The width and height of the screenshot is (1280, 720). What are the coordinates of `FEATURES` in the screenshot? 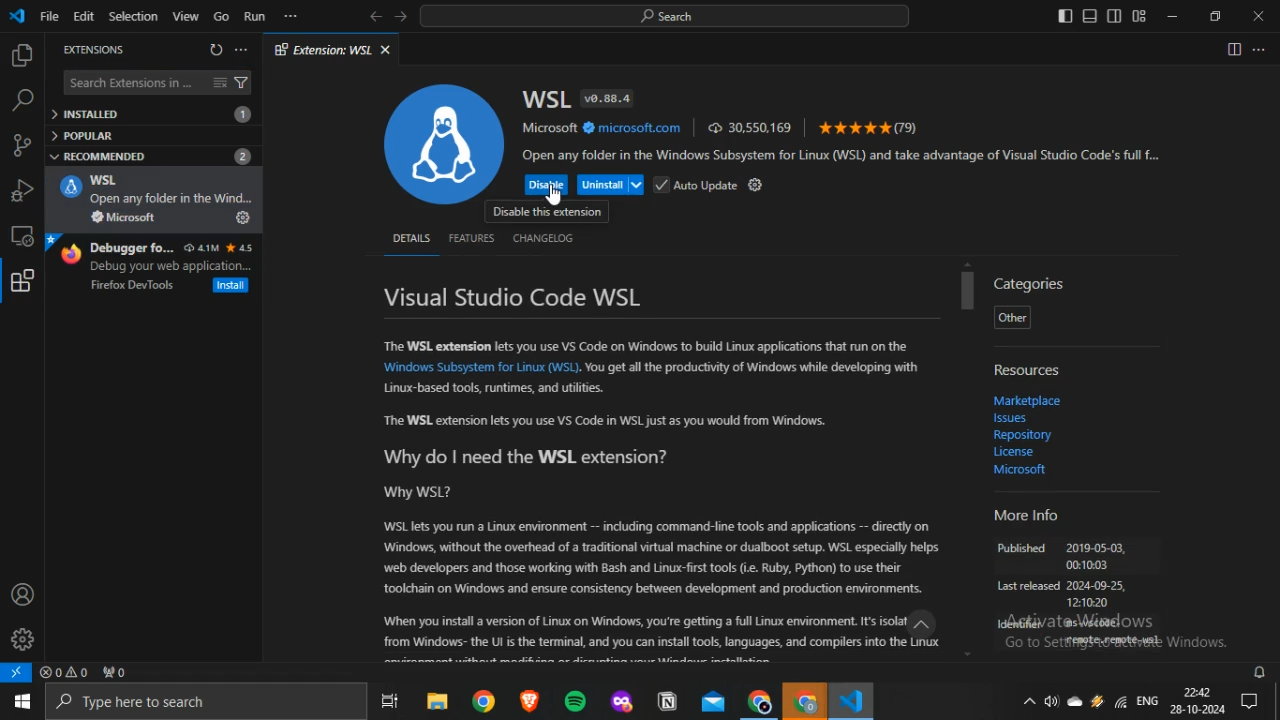 It's located at (471, 238).